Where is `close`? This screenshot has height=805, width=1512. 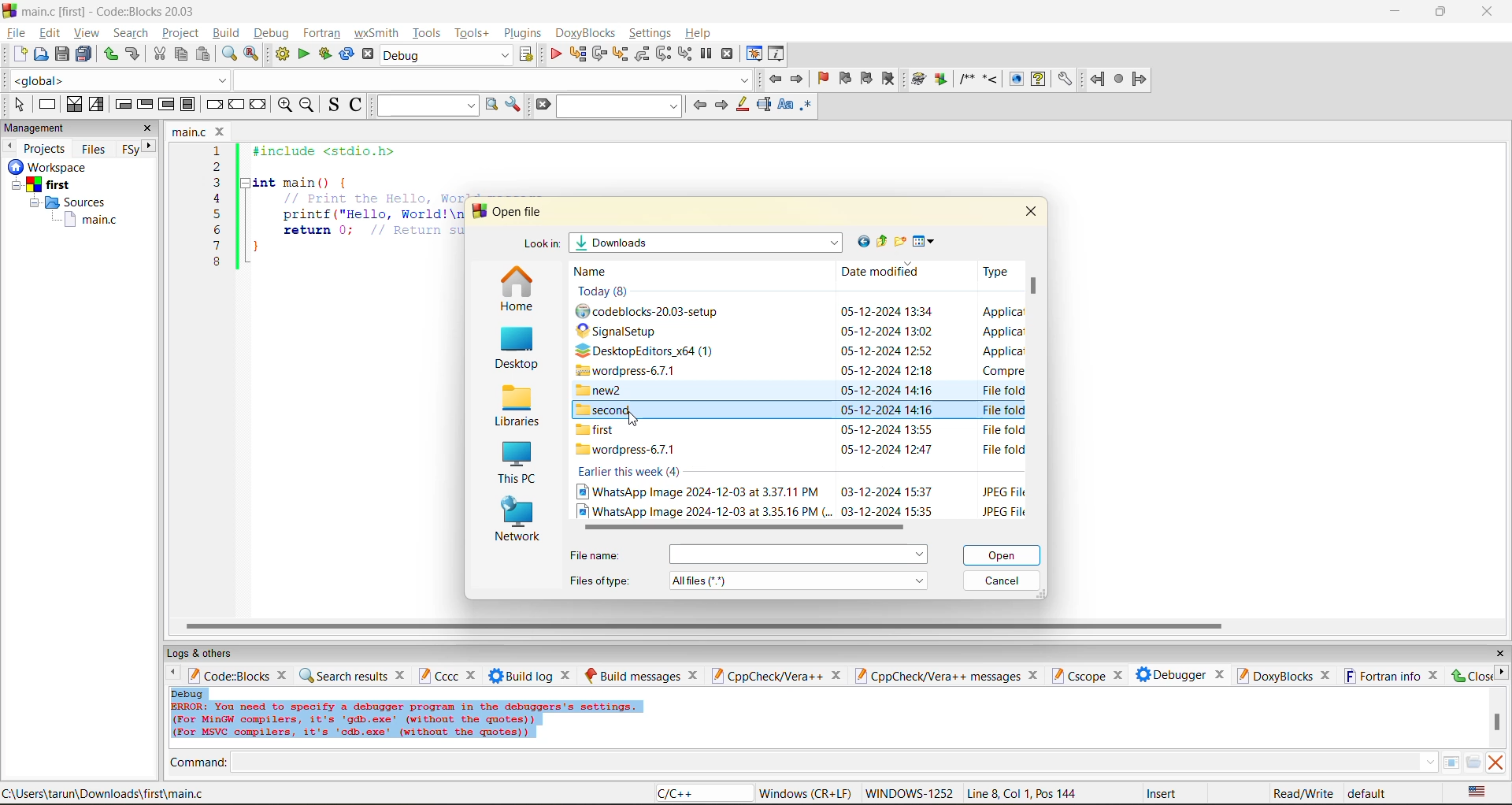 close is located at coordinates (1499, 654).